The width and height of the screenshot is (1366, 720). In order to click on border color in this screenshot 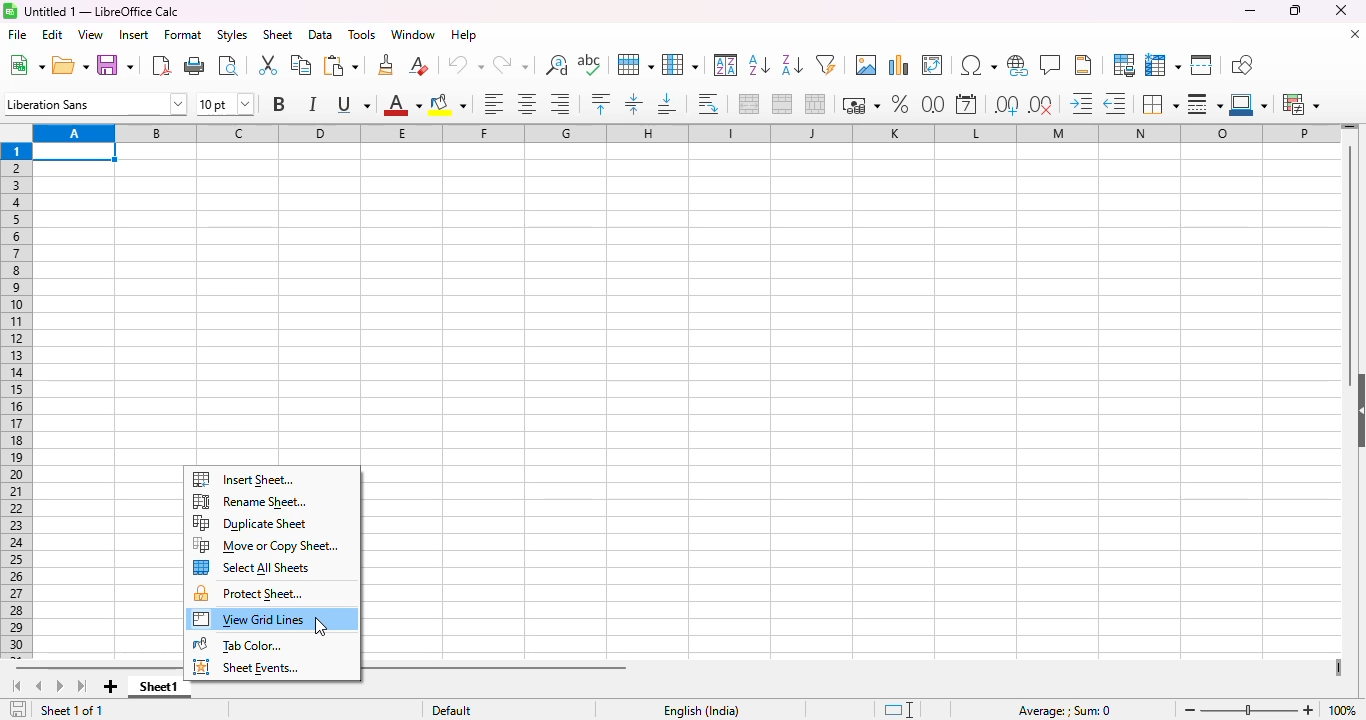, I will do `click(1249, 104)`.